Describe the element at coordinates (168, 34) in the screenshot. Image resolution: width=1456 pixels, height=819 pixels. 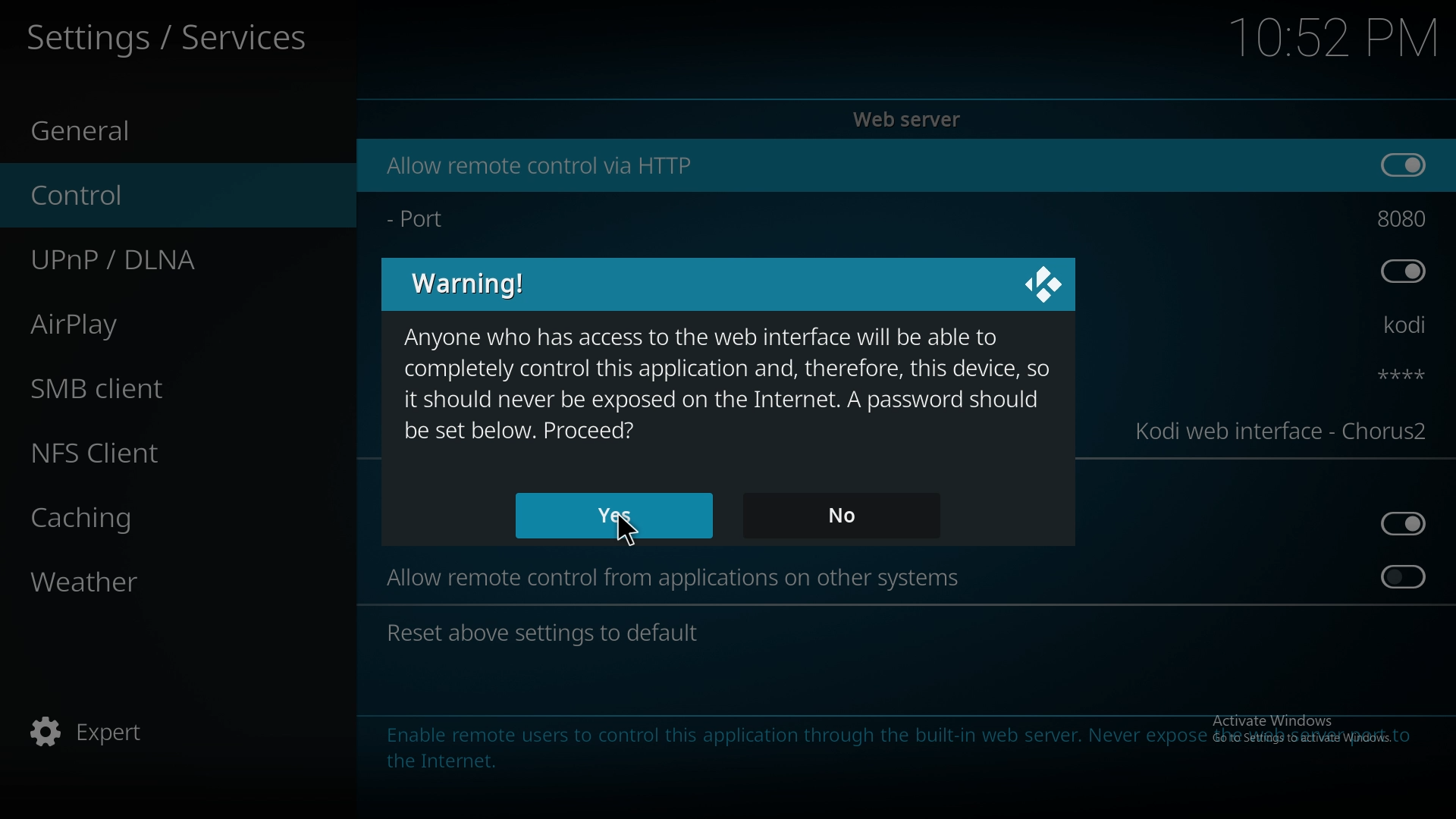
I see `services` at that location.